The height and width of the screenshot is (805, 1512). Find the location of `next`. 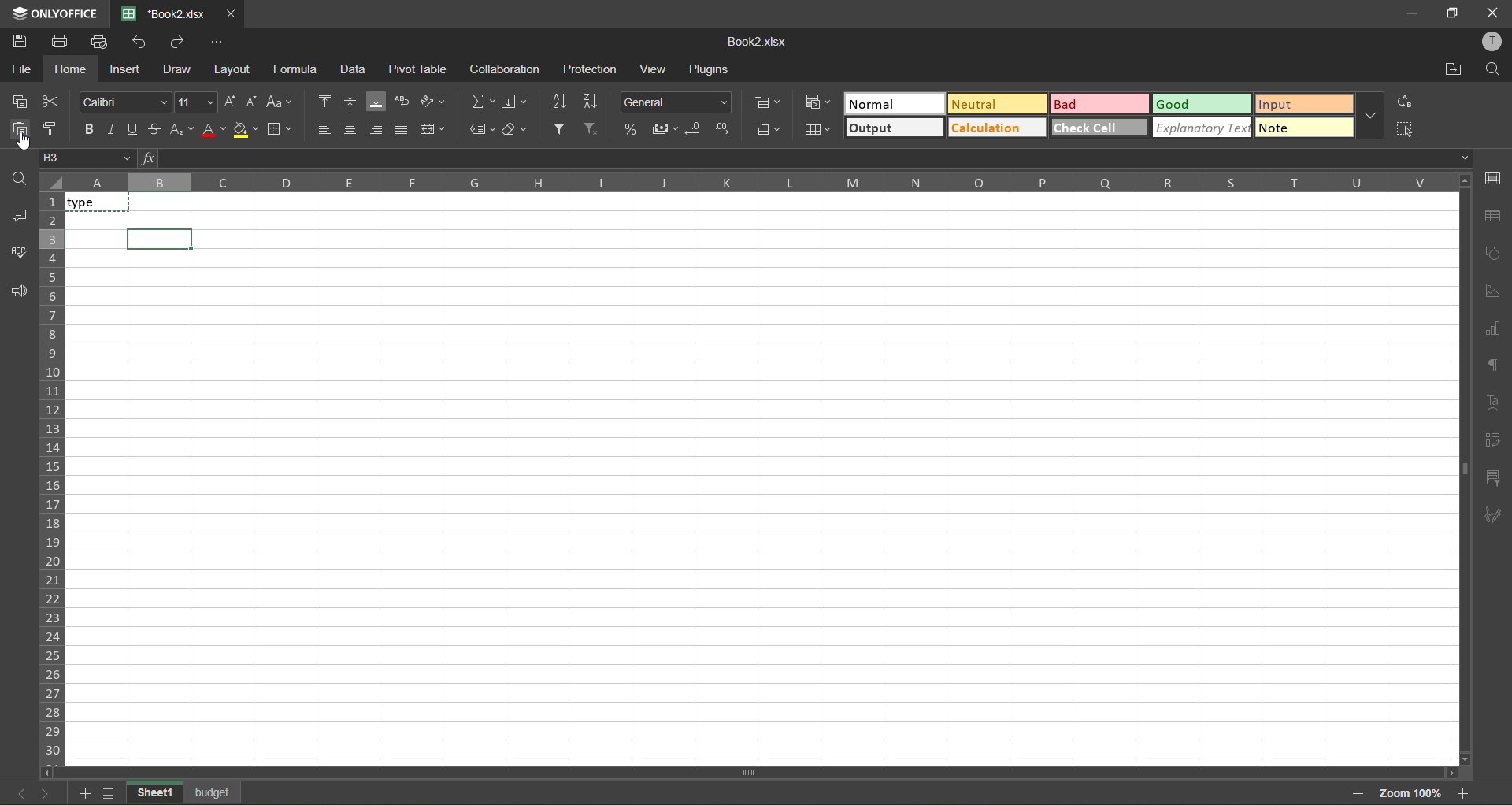

next is located at coordinates (50, 793).